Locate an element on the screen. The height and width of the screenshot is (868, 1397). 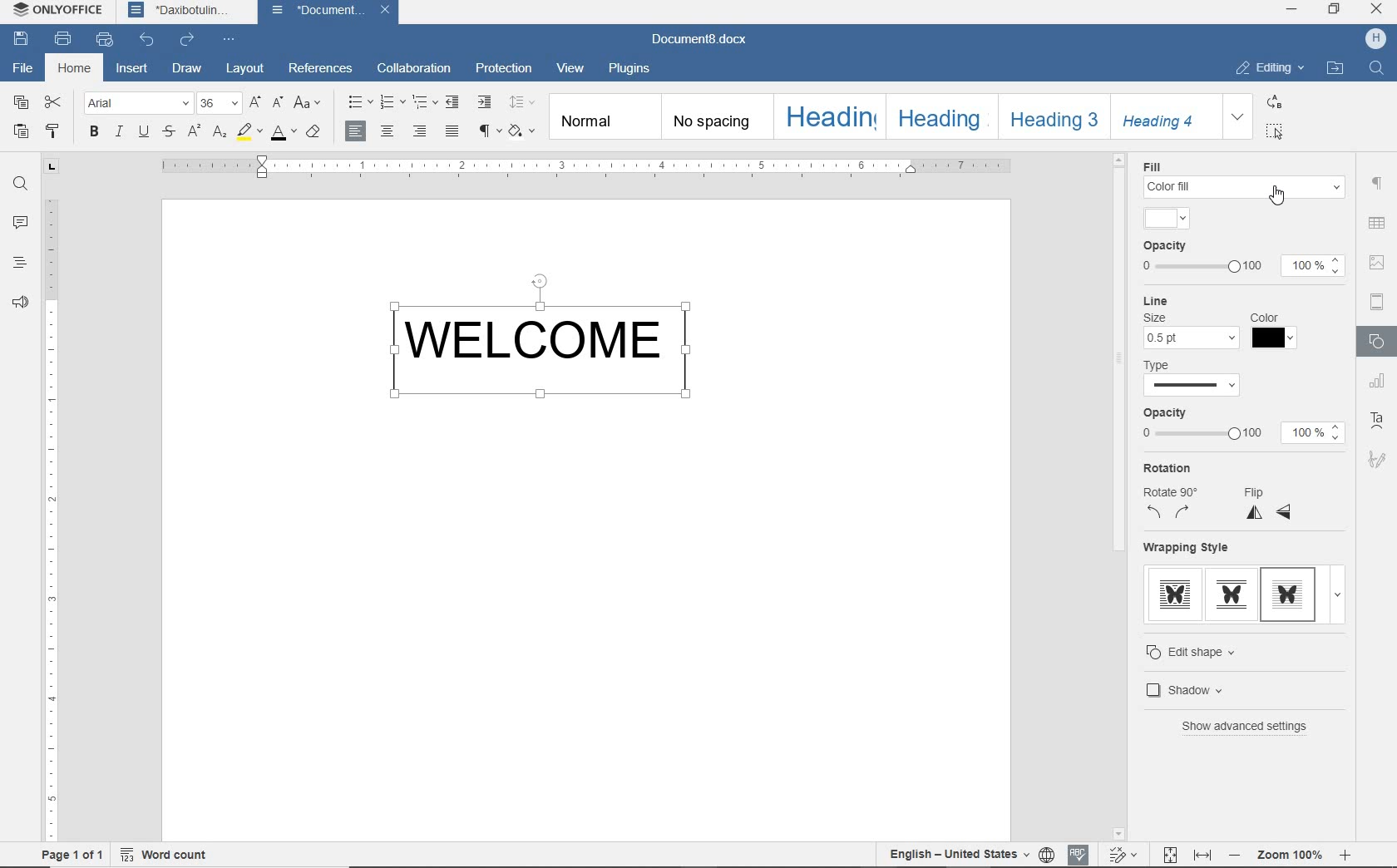
Rotate 90 is located at coordinates (1176, 491).